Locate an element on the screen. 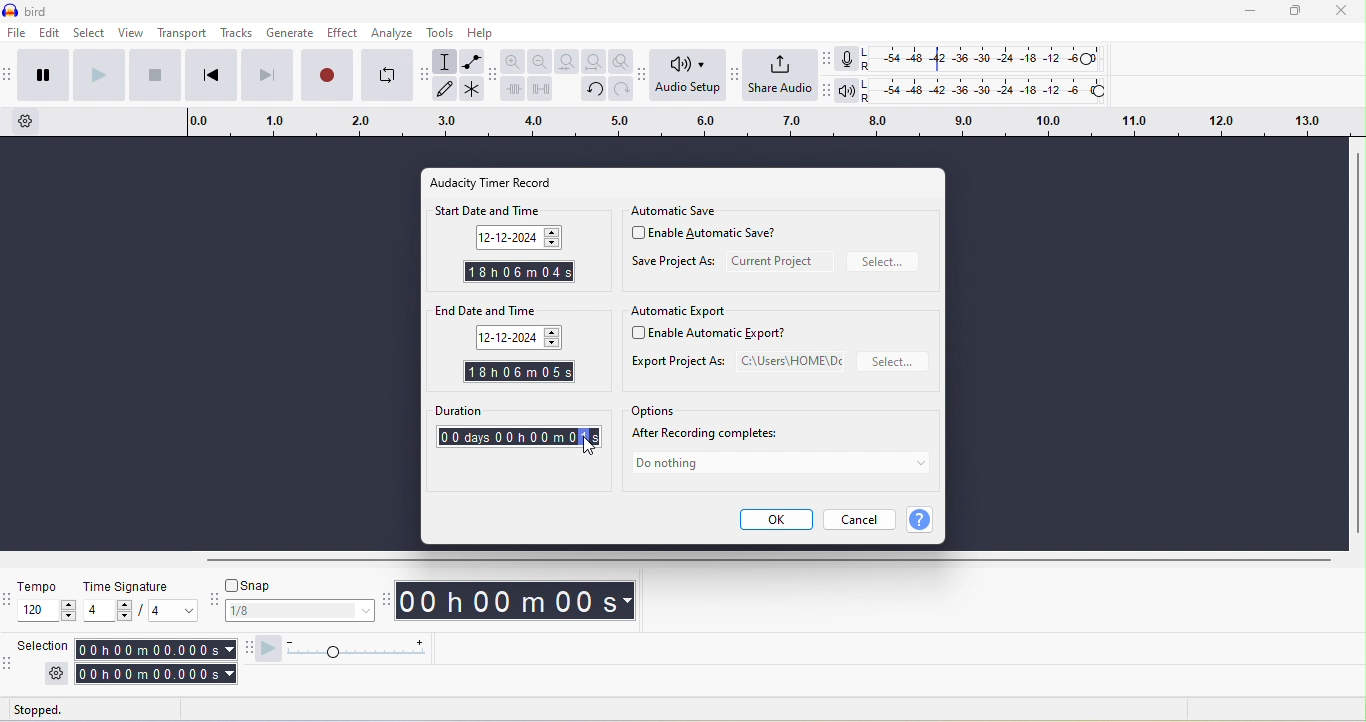 This screenshot has width=1366, height=722. automatic export is located at coordinates (679, 312).